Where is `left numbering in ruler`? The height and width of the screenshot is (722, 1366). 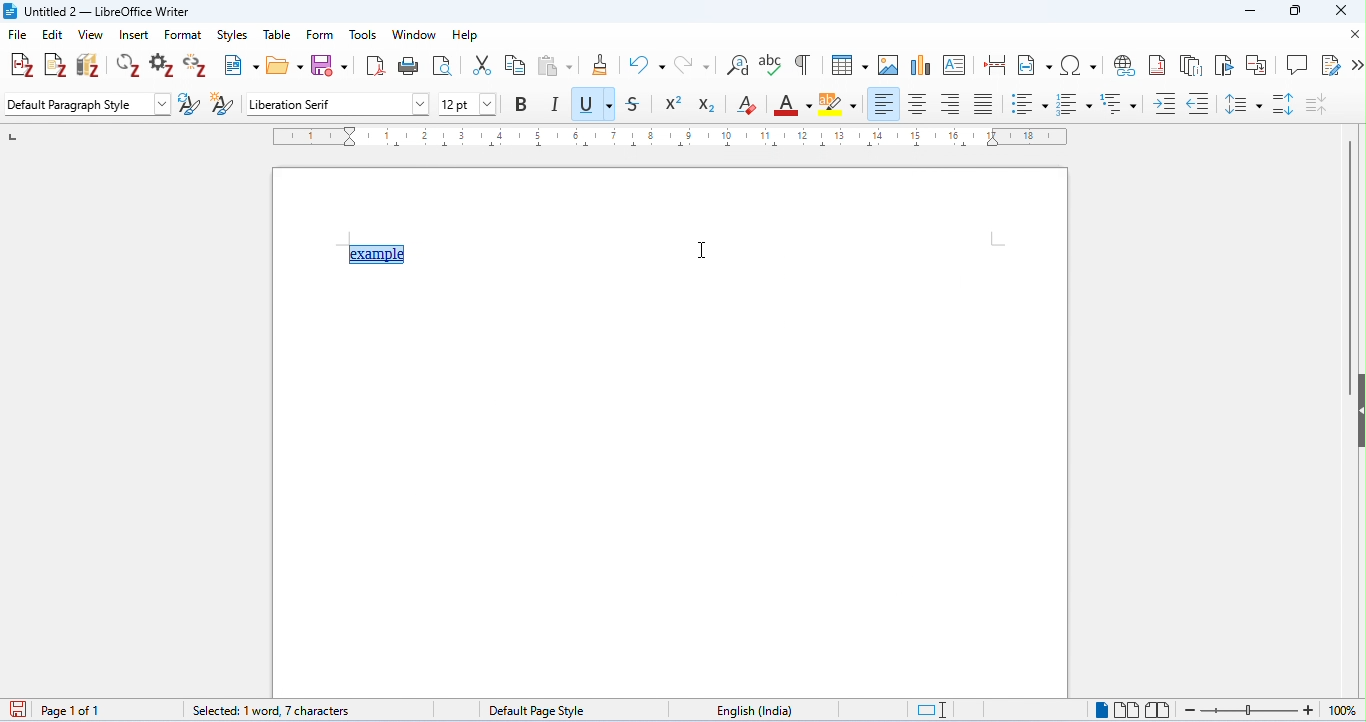
left numbering in ruler is located at coordinates (12, 135).